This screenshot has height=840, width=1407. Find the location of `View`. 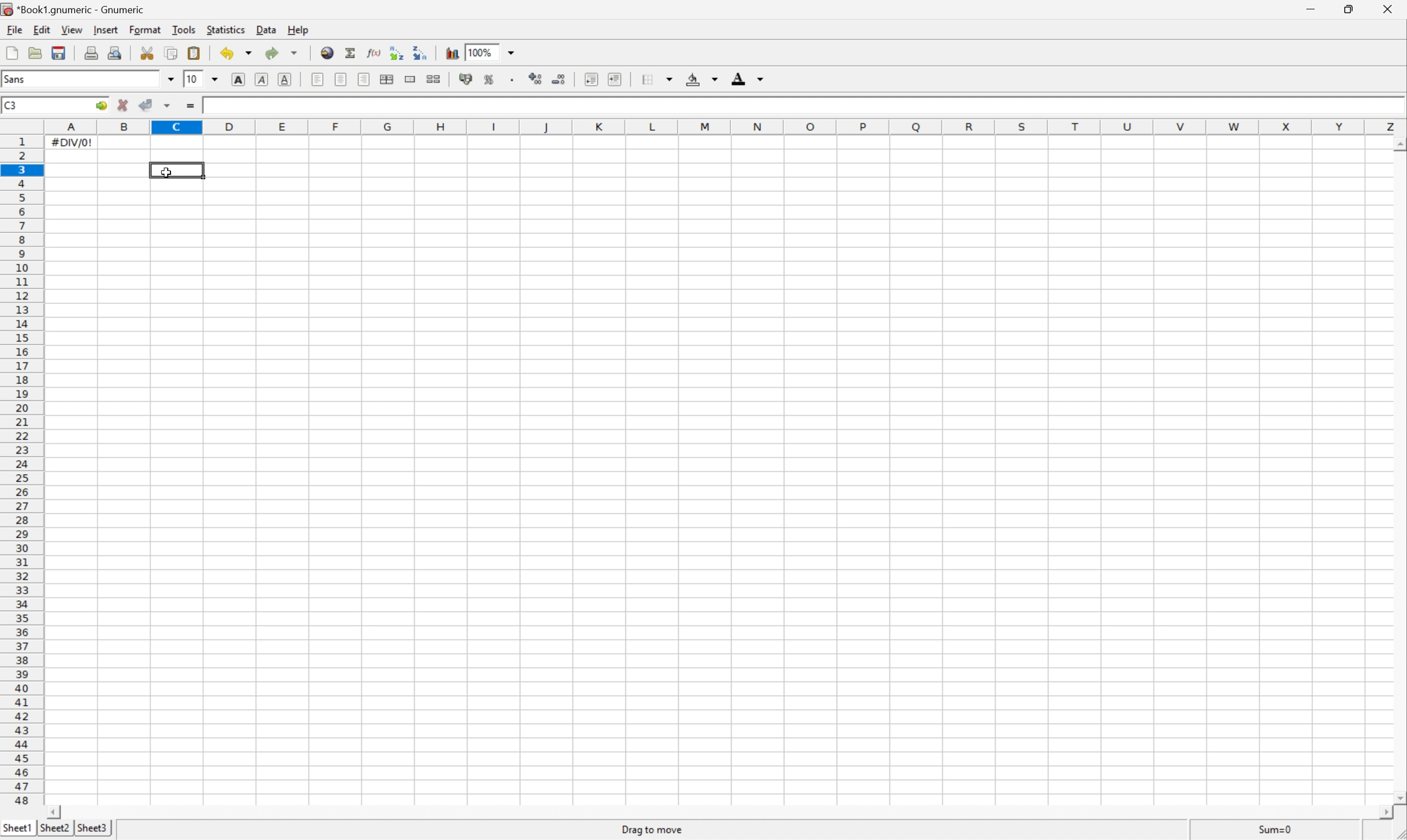

View is located at coordinates (72, 29).